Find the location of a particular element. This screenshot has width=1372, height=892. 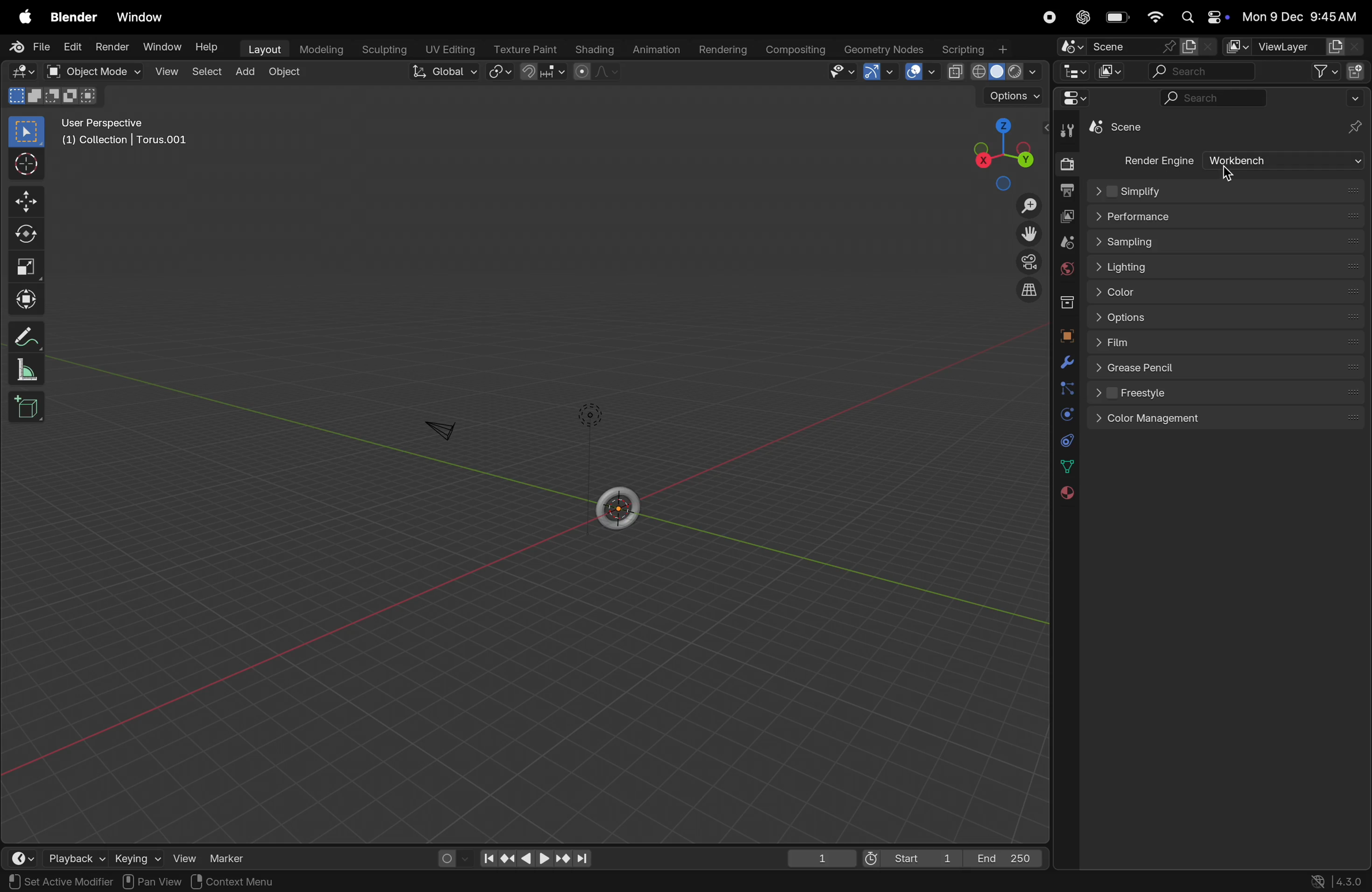

edit is located at coordinates (74, 48).